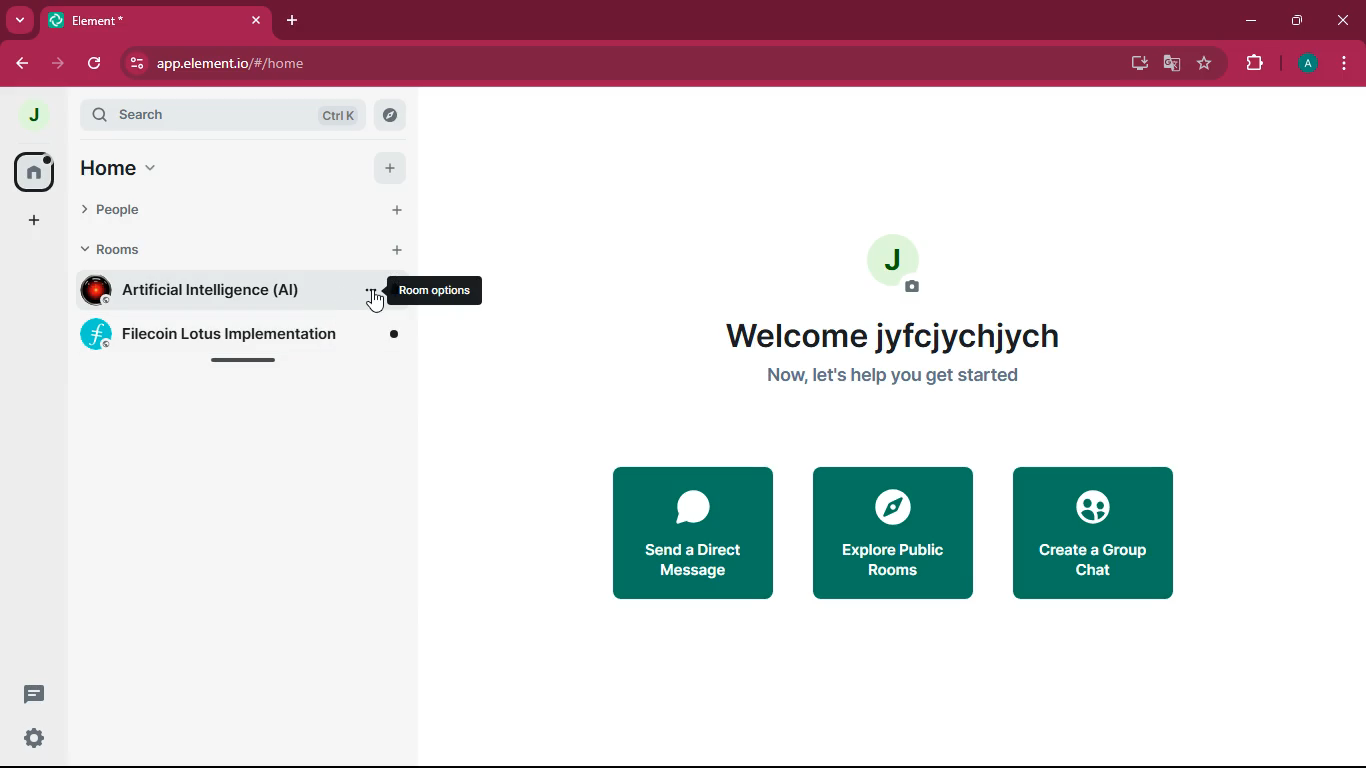 This screenshot has width=1366, height=768. I want to click on search, so click(389, 116).